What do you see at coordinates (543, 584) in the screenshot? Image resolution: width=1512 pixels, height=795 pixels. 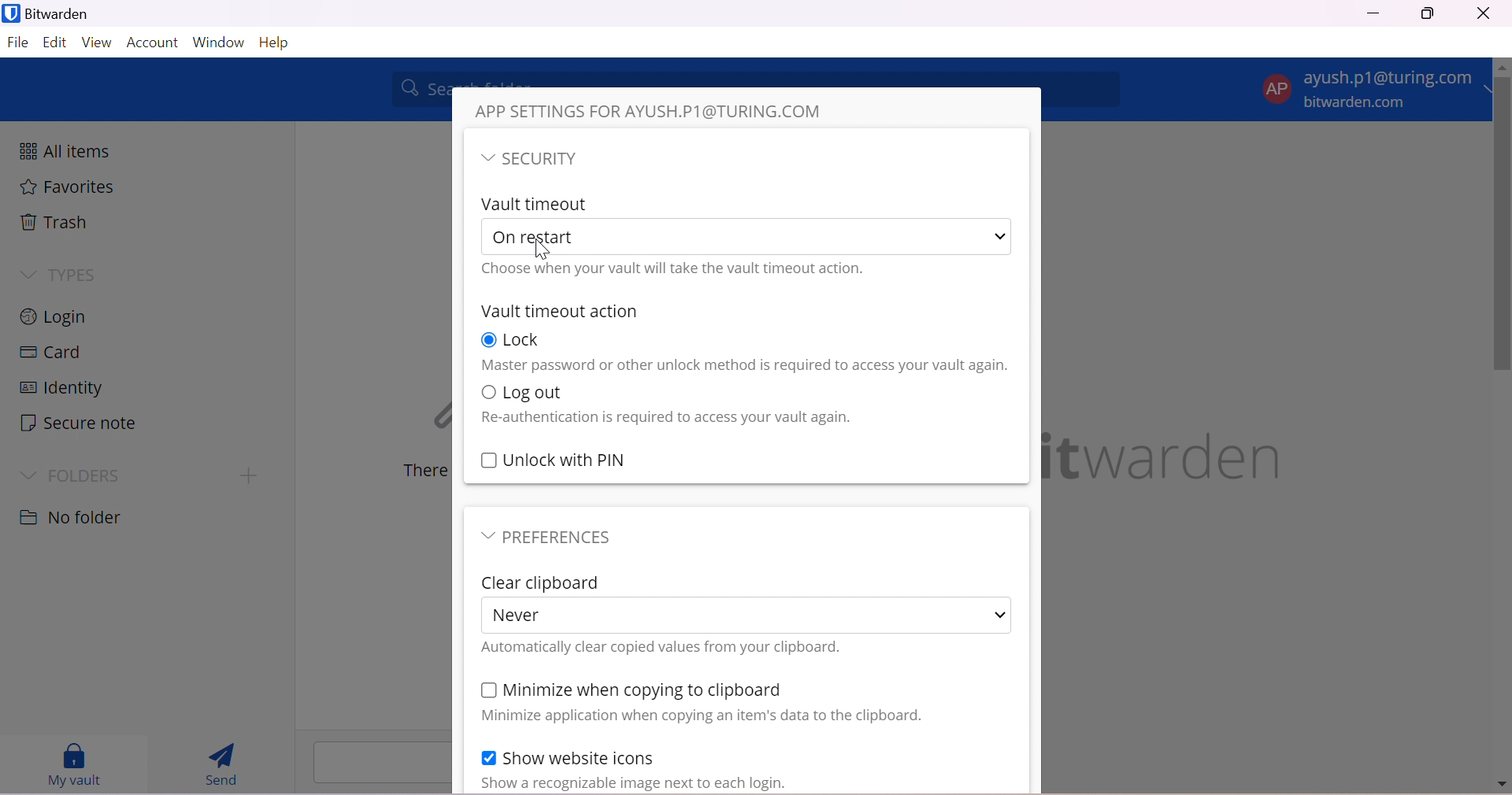 I see `Clear Clipboard` at bounding box center [543, 584].